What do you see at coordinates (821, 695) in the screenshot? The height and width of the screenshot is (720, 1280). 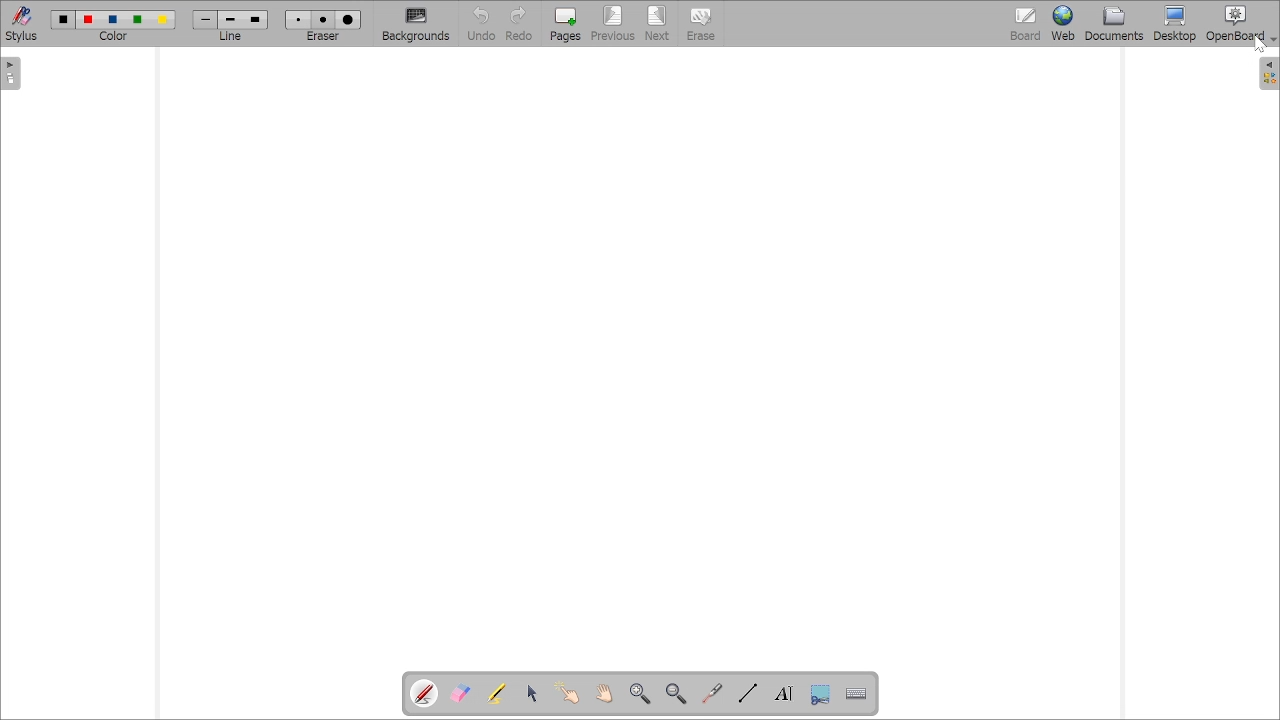 I see `Capture part of the screen` at bounding box center [821, 695].